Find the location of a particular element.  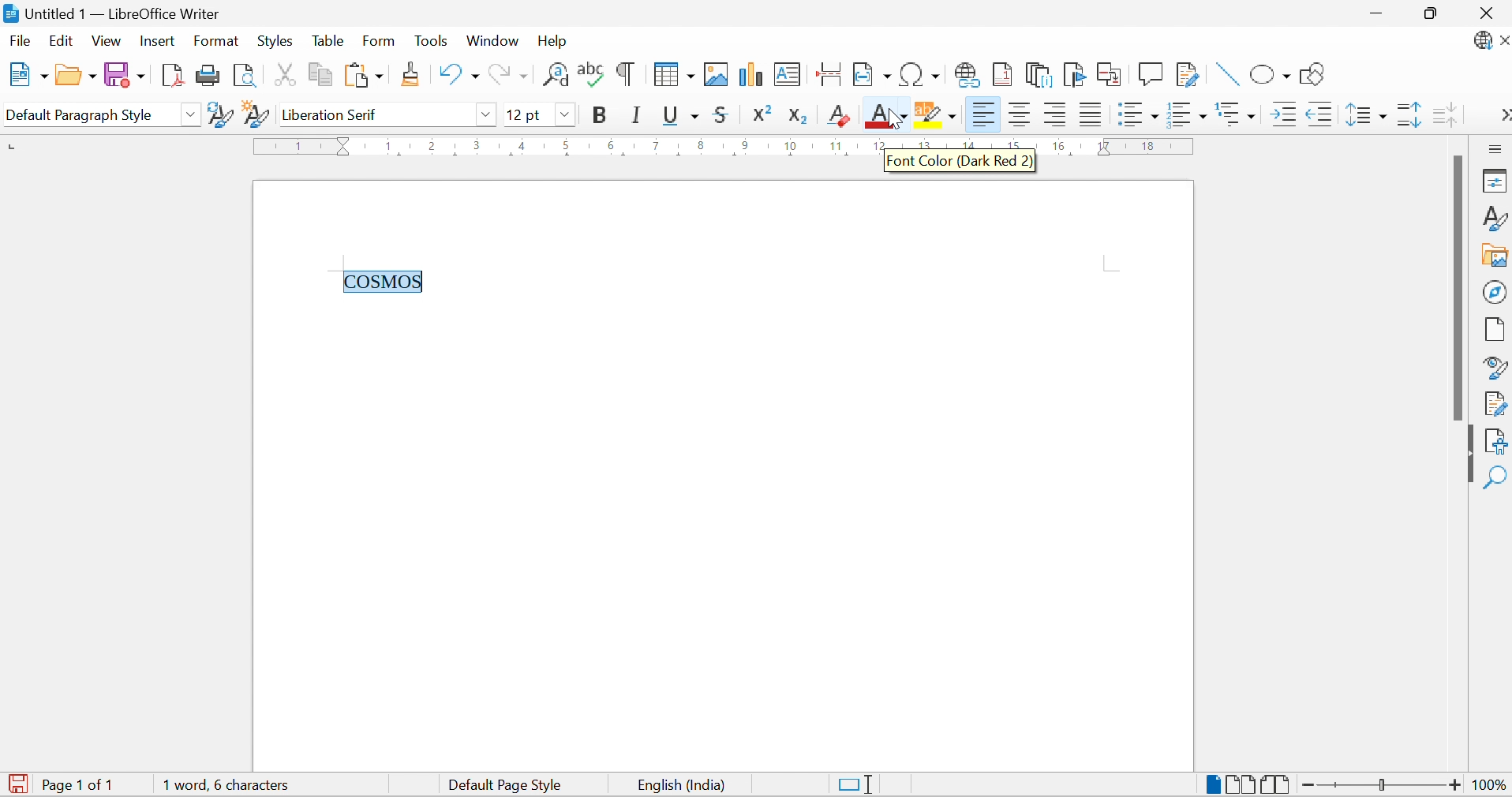

12 is located at coordinates (881, 145).